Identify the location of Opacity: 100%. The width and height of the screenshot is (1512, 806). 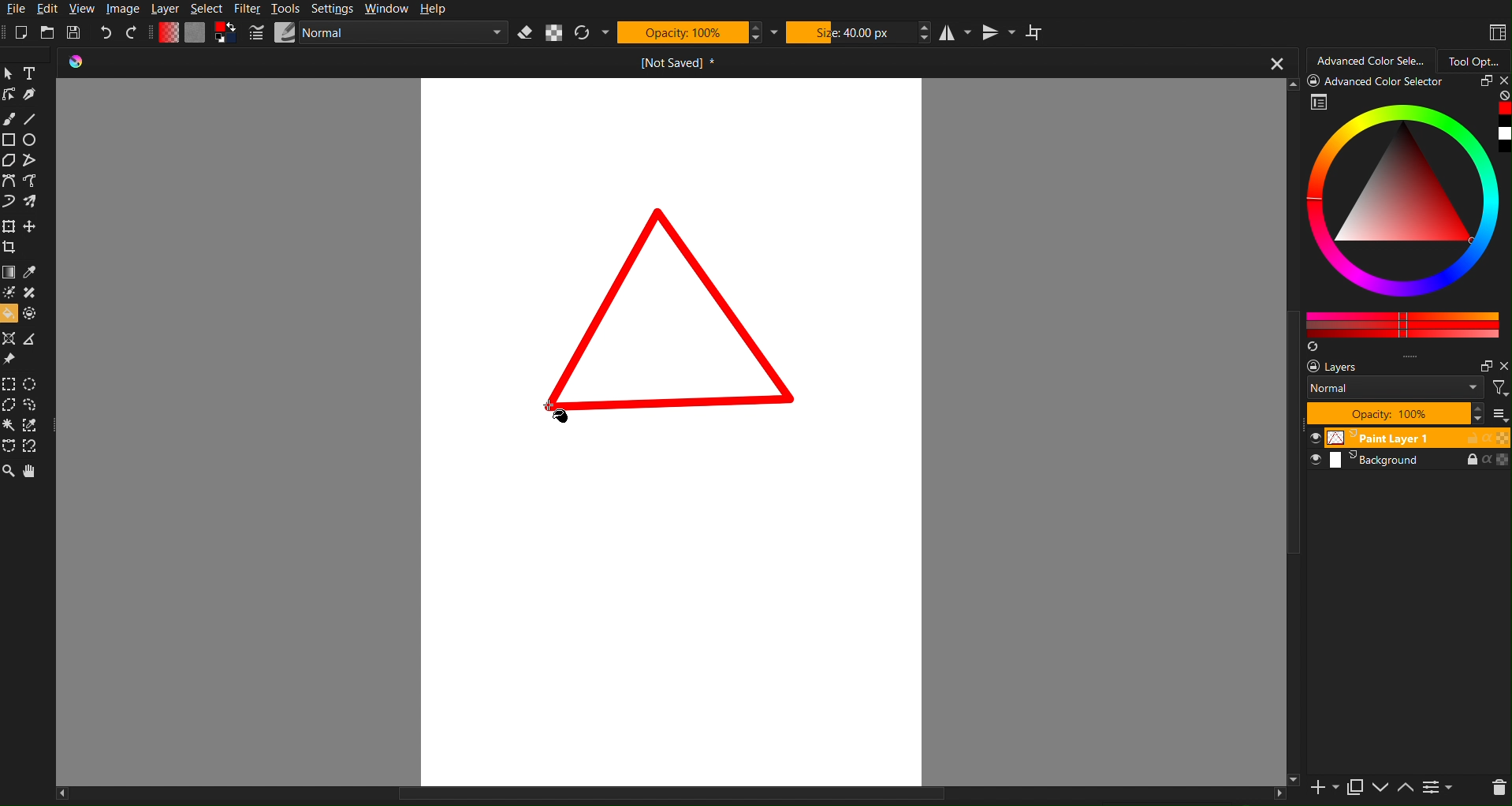
(682, 32).